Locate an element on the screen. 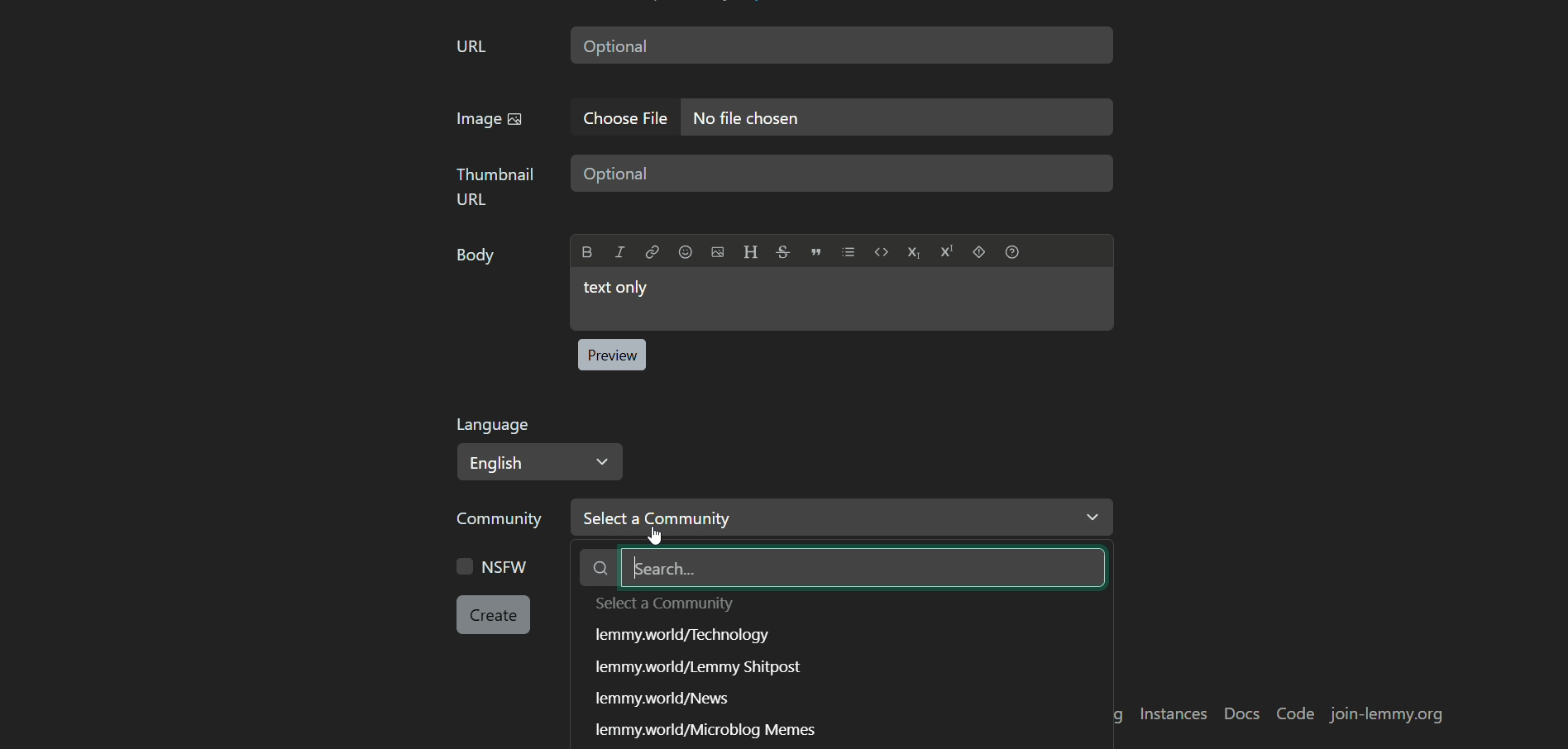 The height and width of the screenshot is (749, 1568). instances is located at coordinates (1172, 713).